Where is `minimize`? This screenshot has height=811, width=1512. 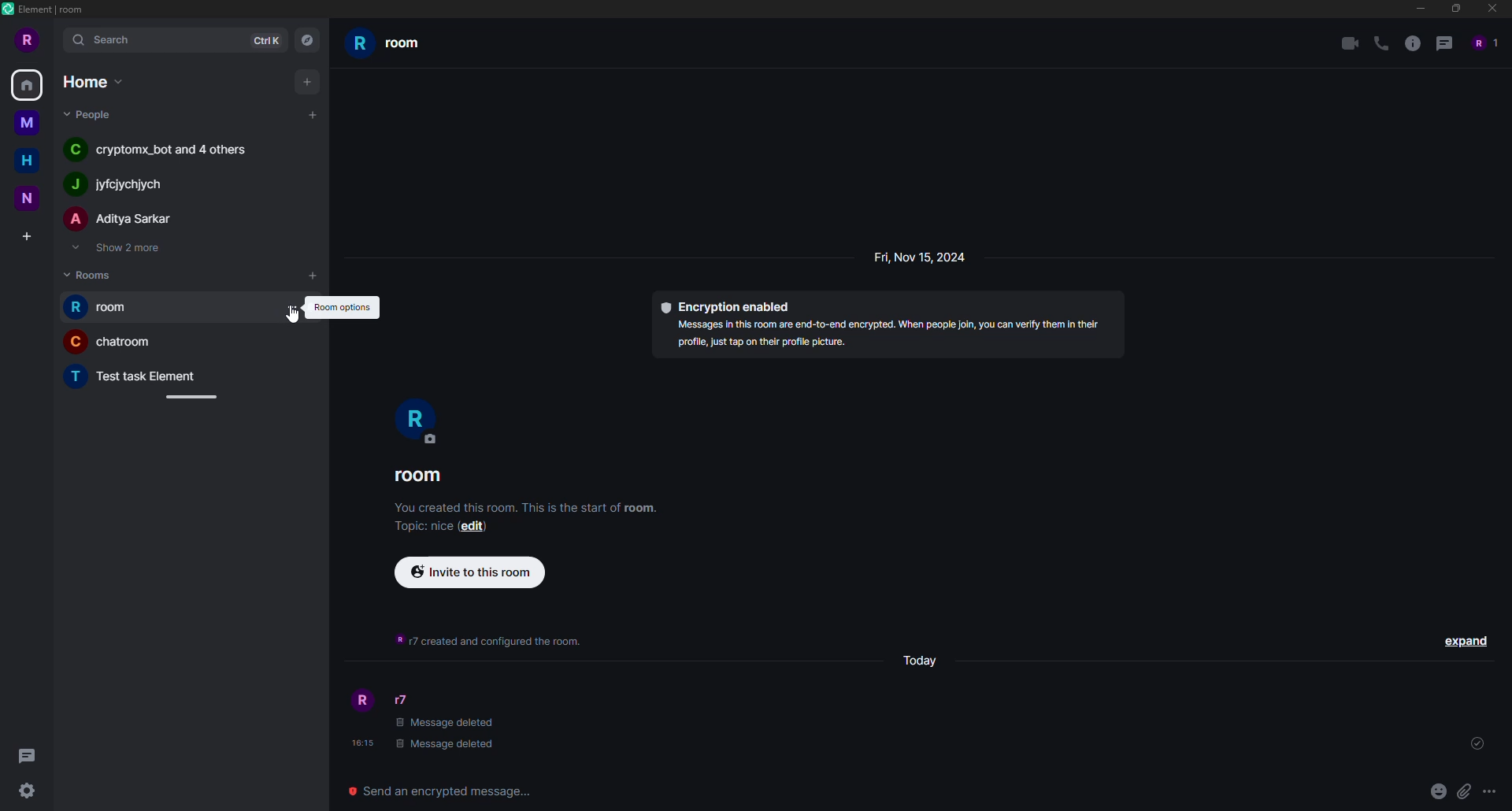 minimize is located at coordinates (1415, 9).